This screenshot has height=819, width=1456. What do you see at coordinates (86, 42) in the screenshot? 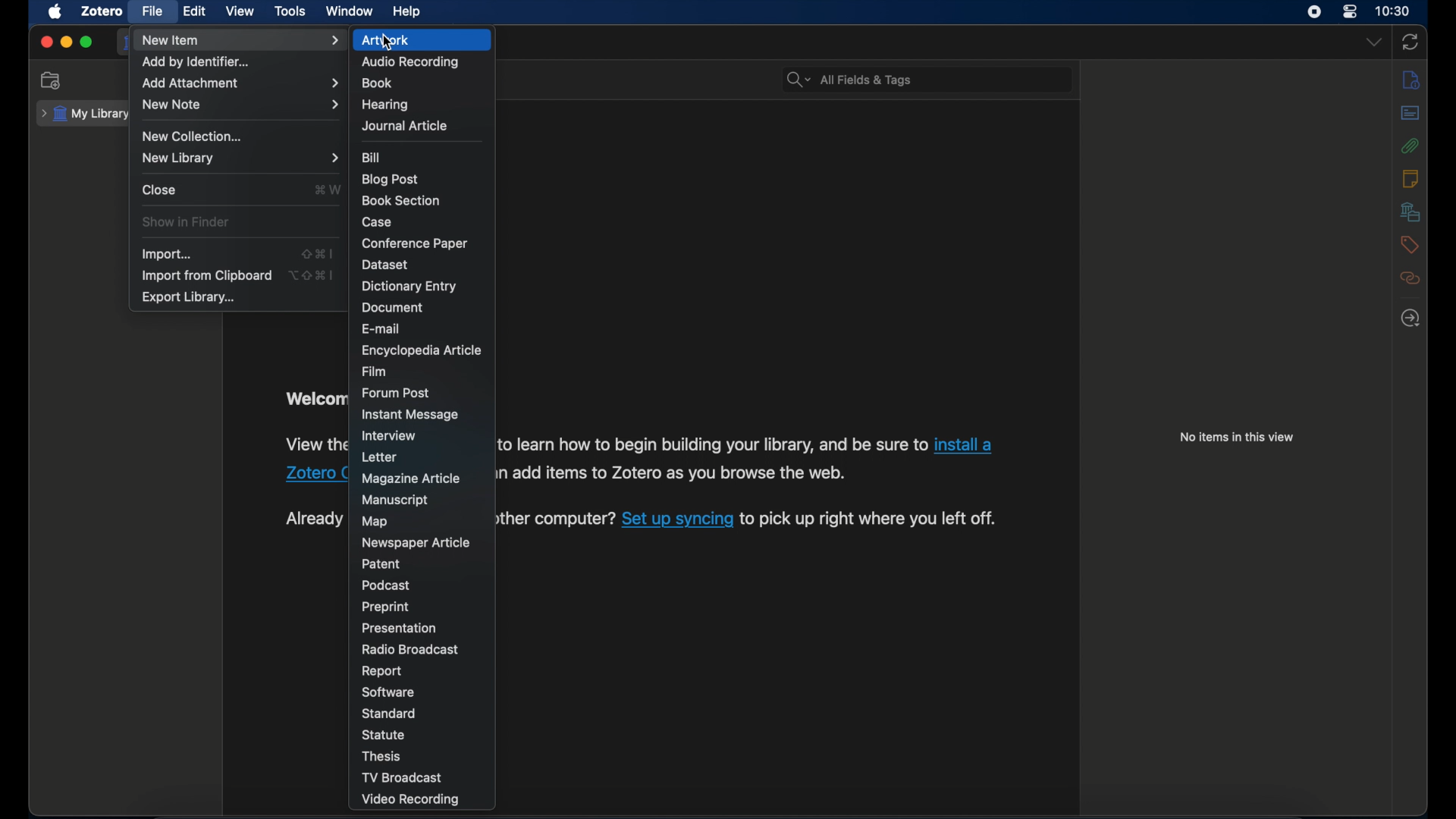
I see `maximize` at bounding box center [86, 42].